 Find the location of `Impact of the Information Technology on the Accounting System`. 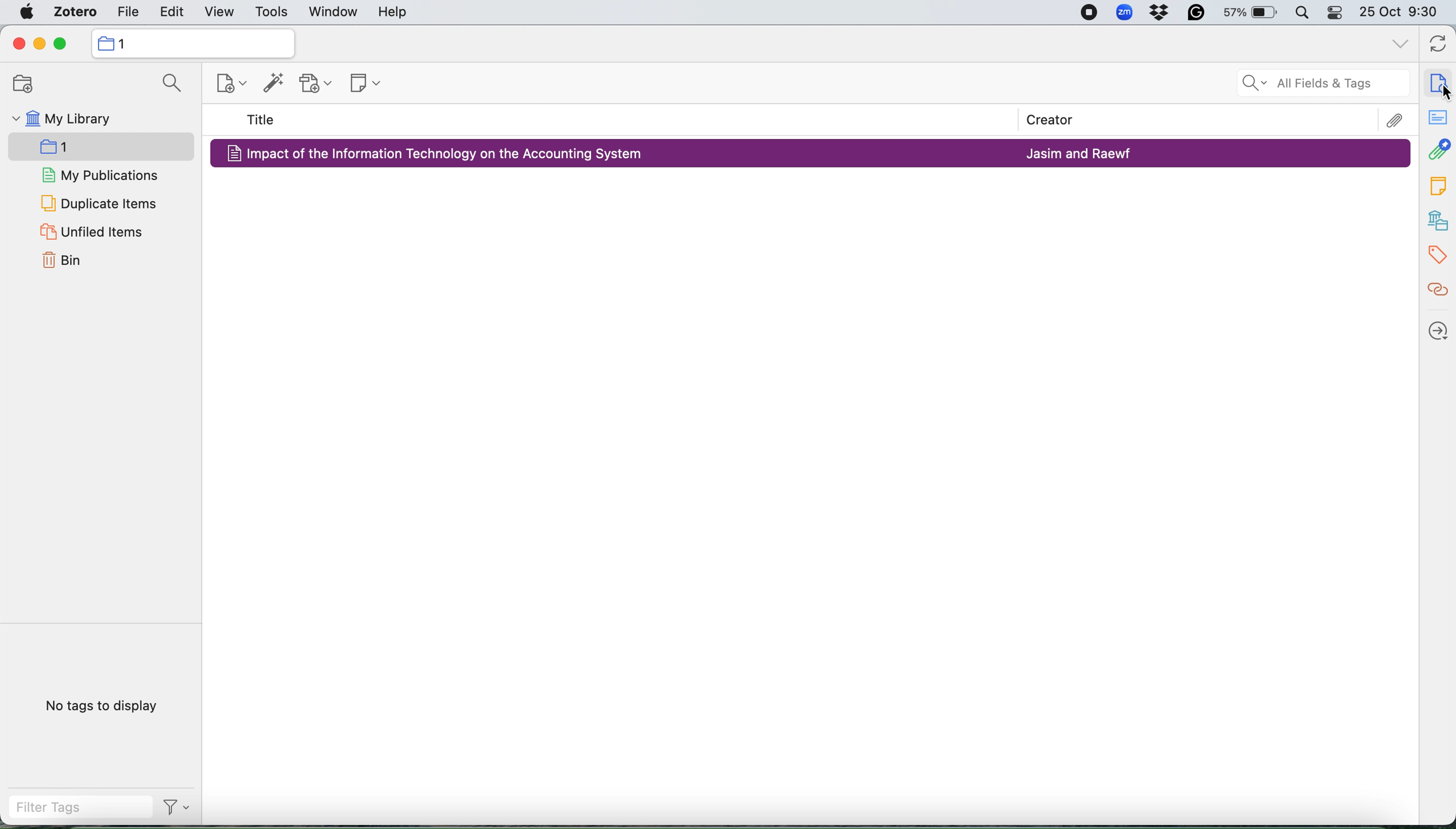

Impact of the Information Technology on the Accounting System is located at coordinates (446, 154).